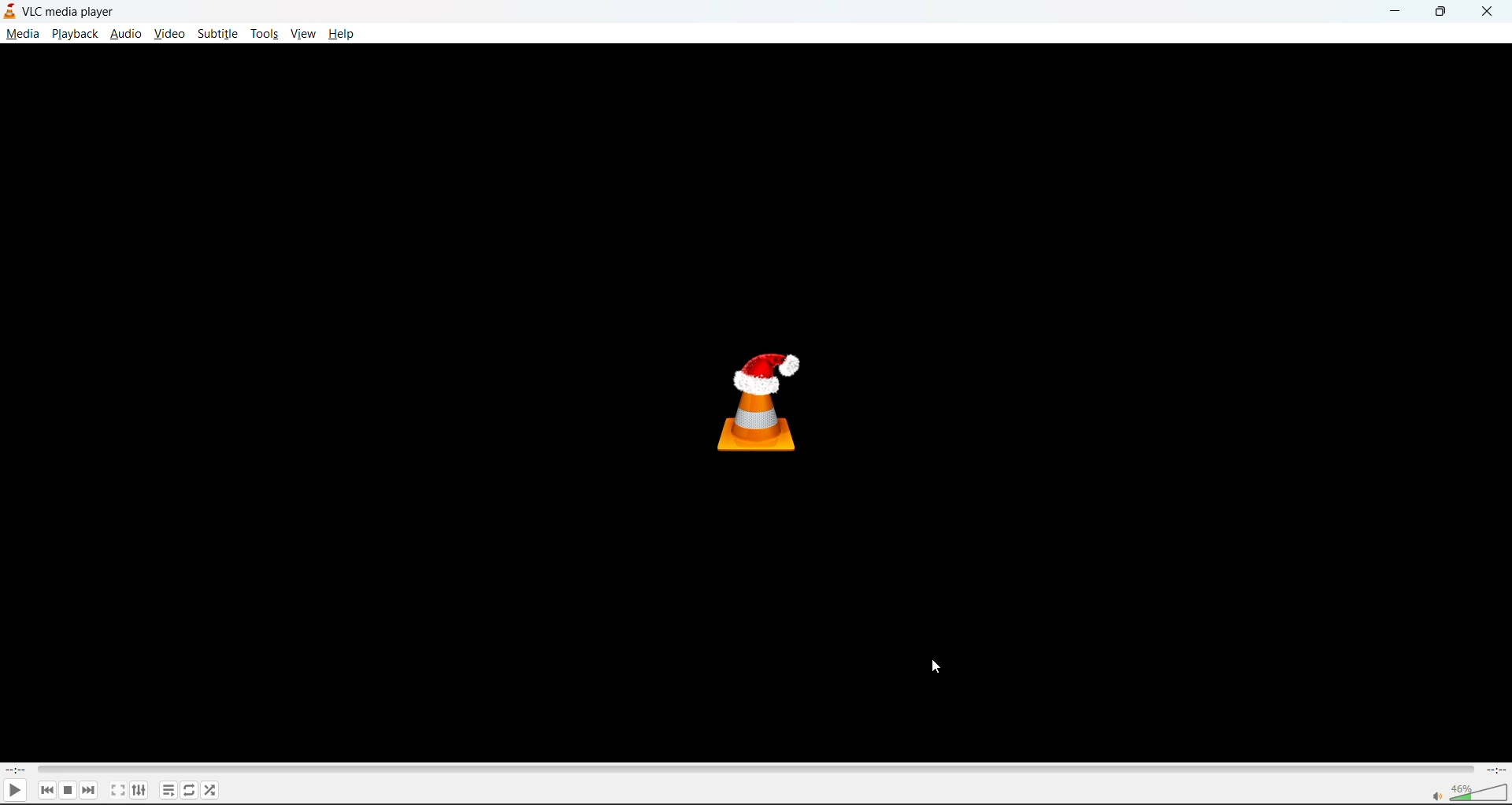 The height and width of the screenshot is (805, 1512). Describe the element at coordinates (1492, 11) in the screenshot. I see `close` at that location.